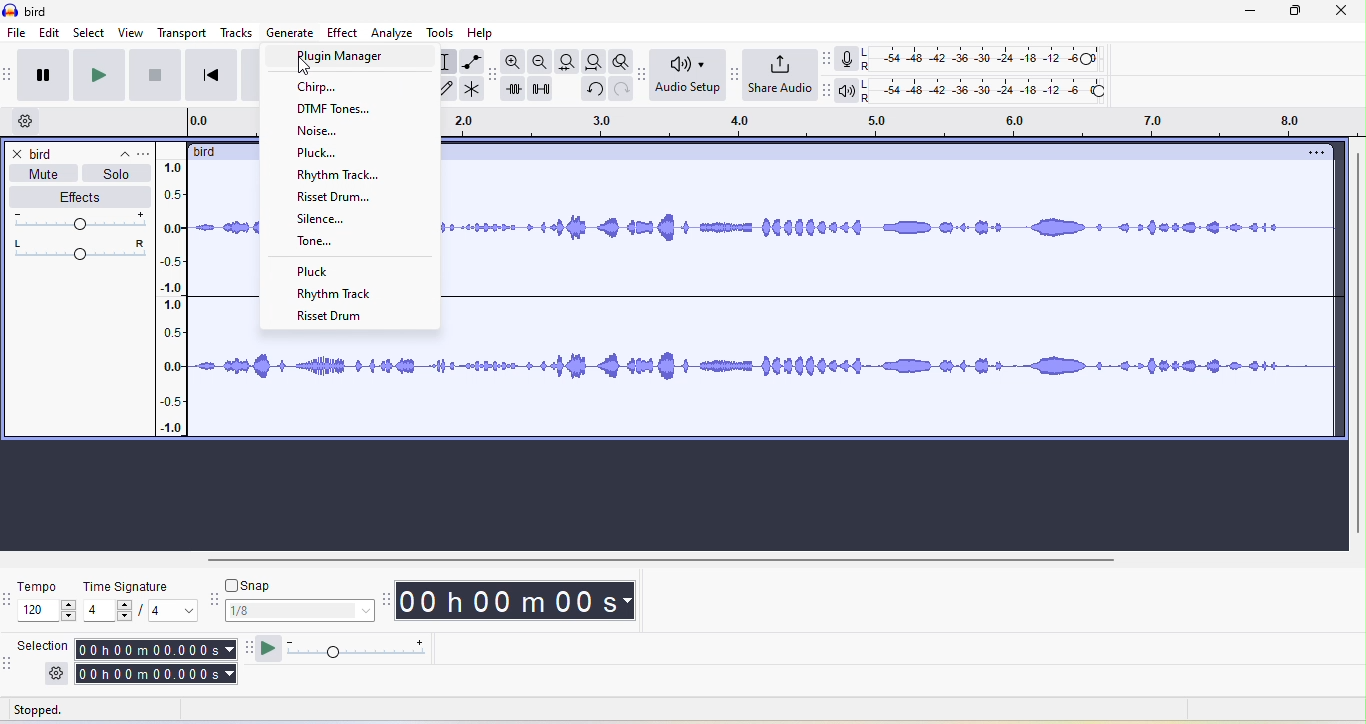 This screenshot has width=1366, height=724. Describe the element at coordinates (513, 62) in the screenshot. I see `zoom in` at that location.